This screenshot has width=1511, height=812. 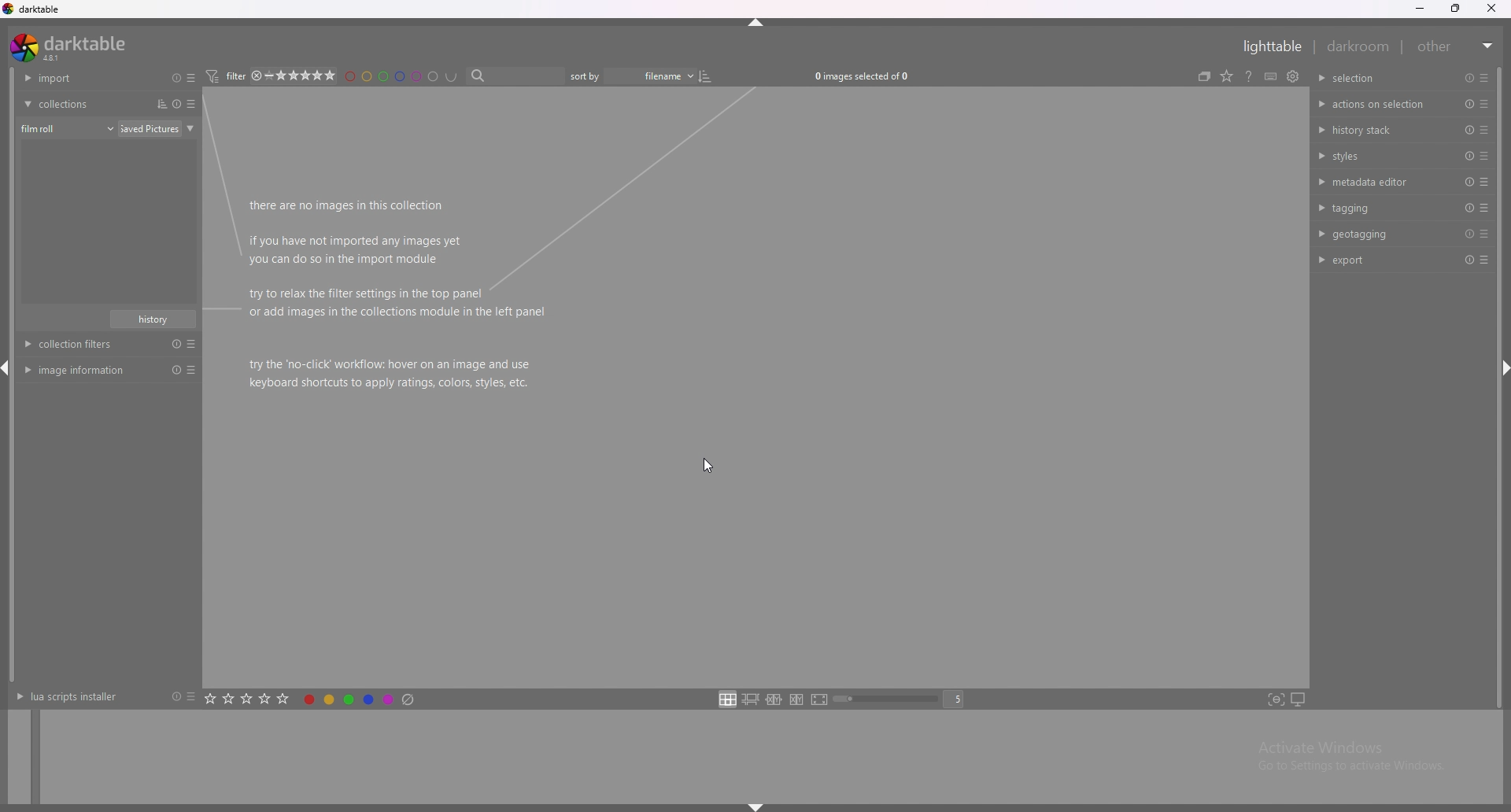 I want to click on presets, so click(x=1484, y=130).